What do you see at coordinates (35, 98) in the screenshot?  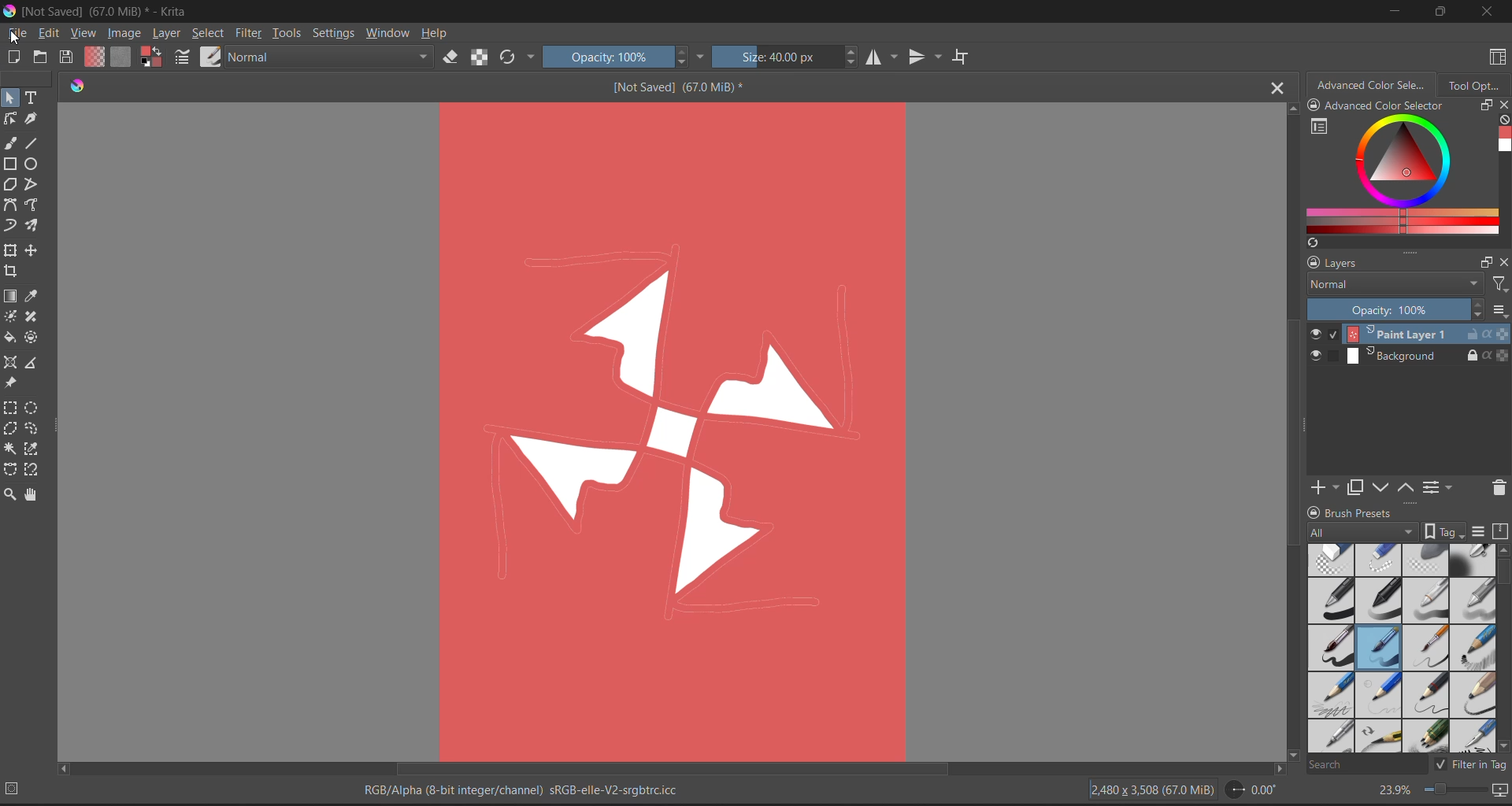 I see `tools` at bounding box center [35, 98].